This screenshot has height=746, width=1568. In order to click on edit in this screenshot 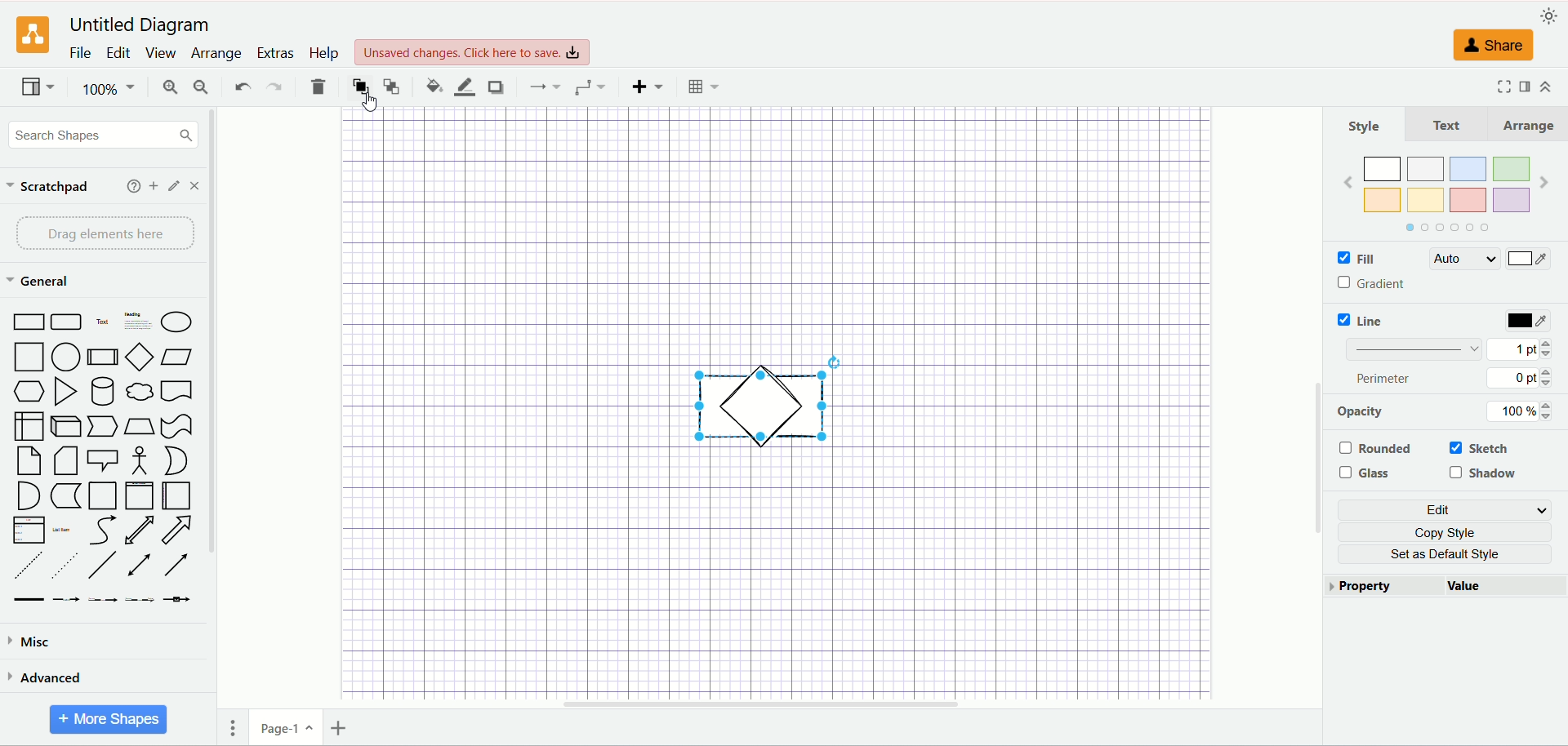, I will do `click(121, 54)`.